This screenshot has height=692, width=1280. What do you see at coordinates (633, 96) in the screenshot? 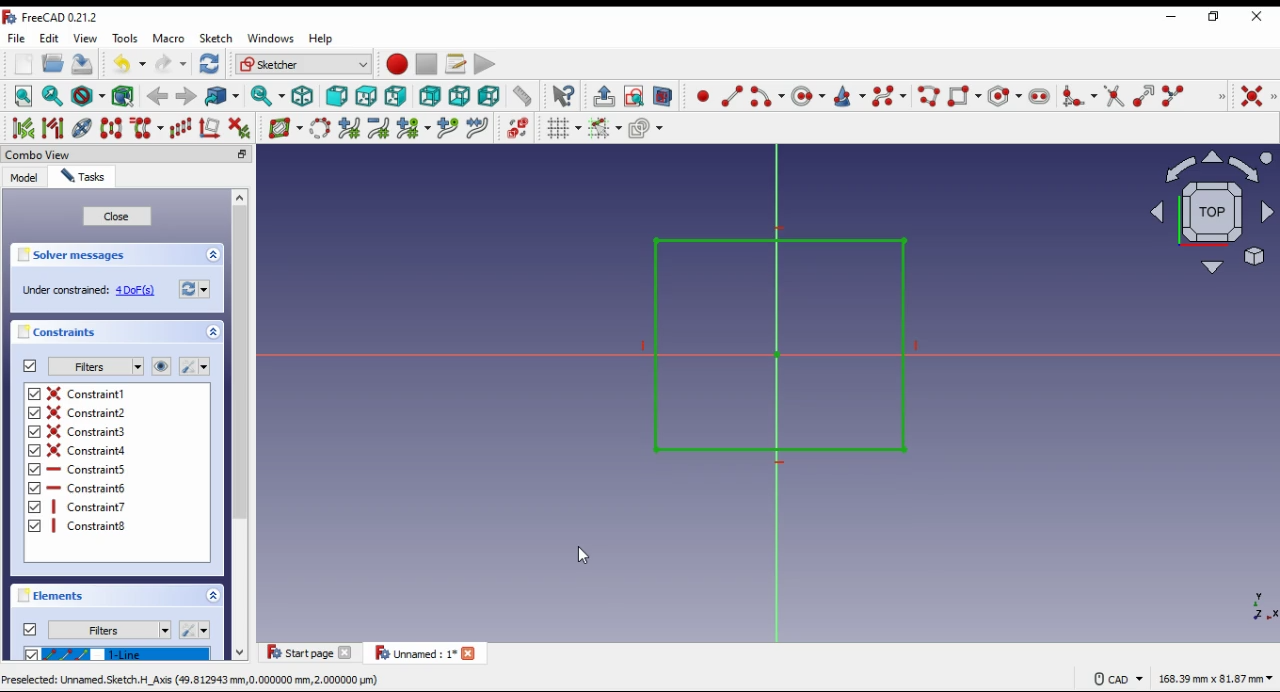
I see `view sketch` at bounding box center [633, 96].